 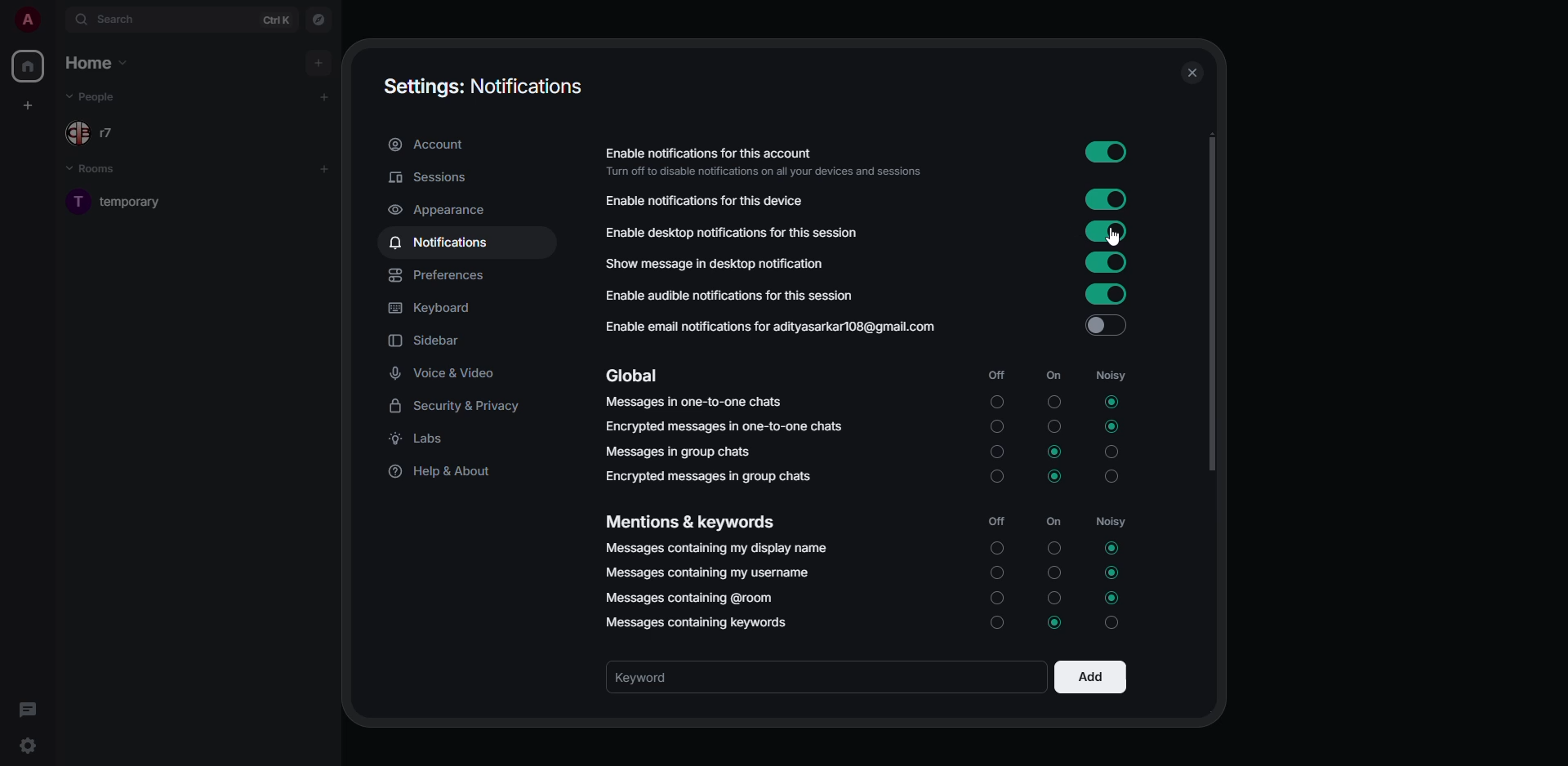 What do you see at coordinates (431, 146) in the screenshot?
I see `account` at bounding box center [431, 146].